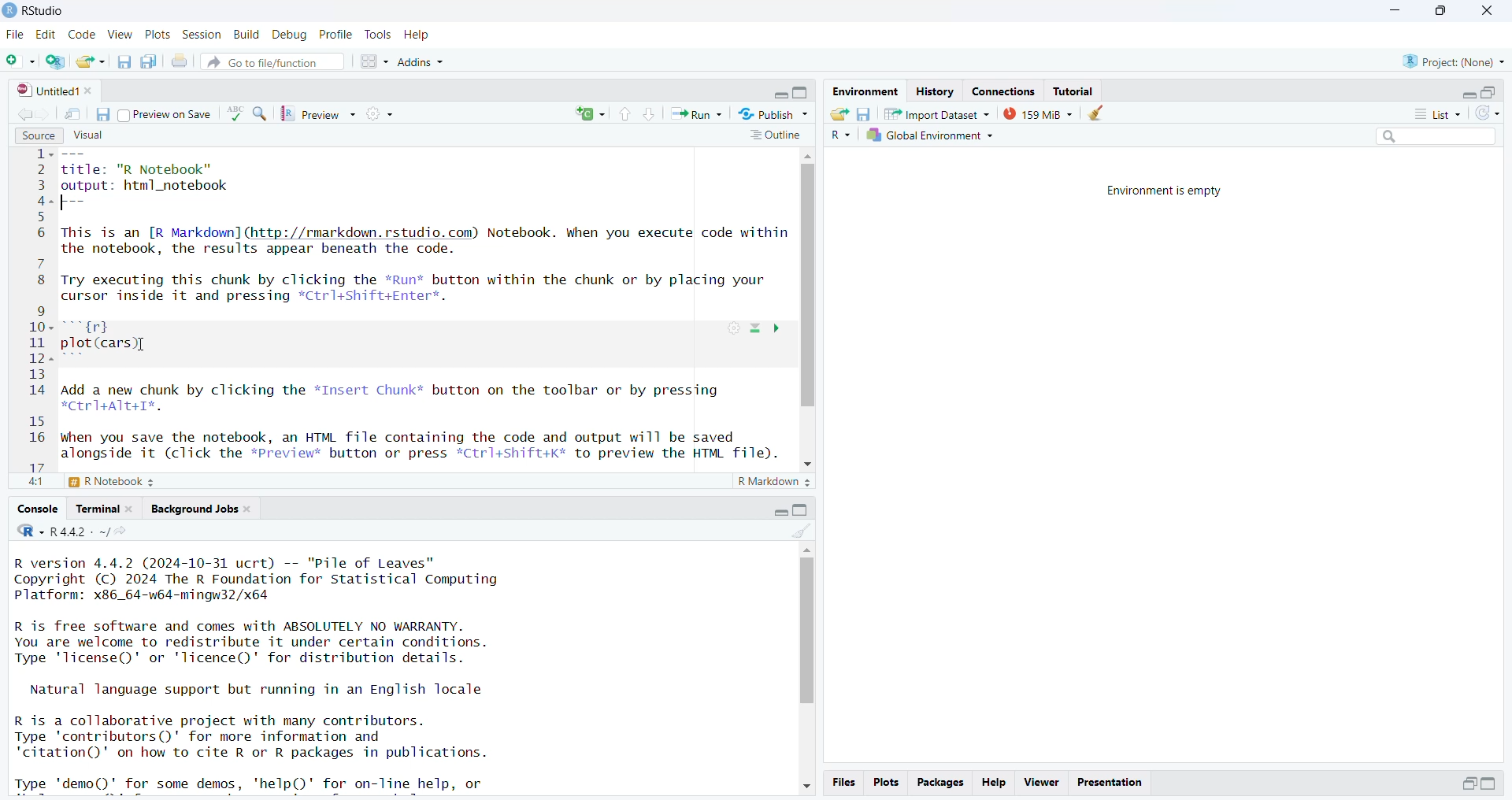  Describe the element at coordinates (382, 113) in the screenshot. I see `compile report` at that location.